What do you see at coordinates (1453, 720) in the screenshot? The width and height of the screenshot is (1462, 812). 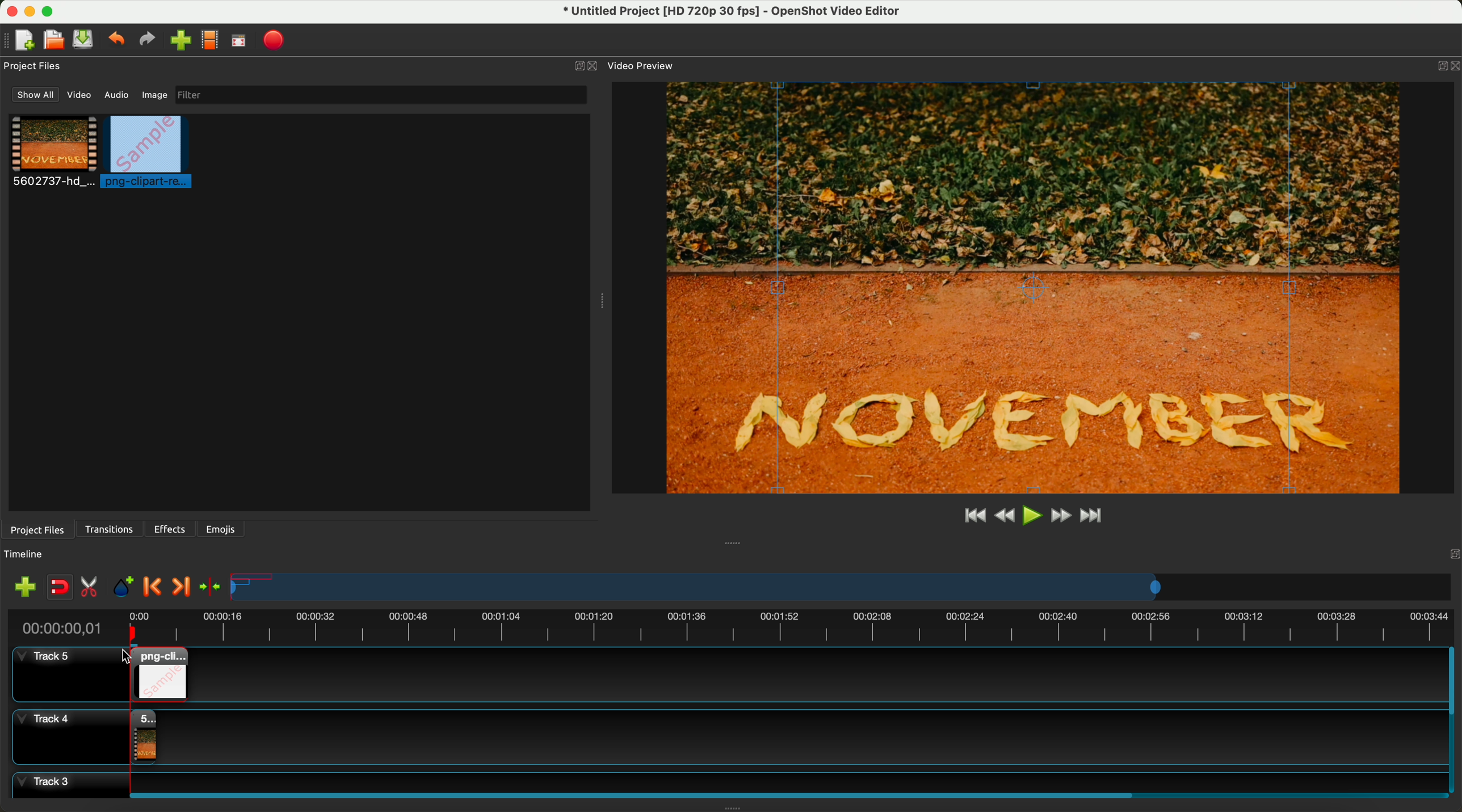 I see `scroll bar` at bounding box center [1453, 720].